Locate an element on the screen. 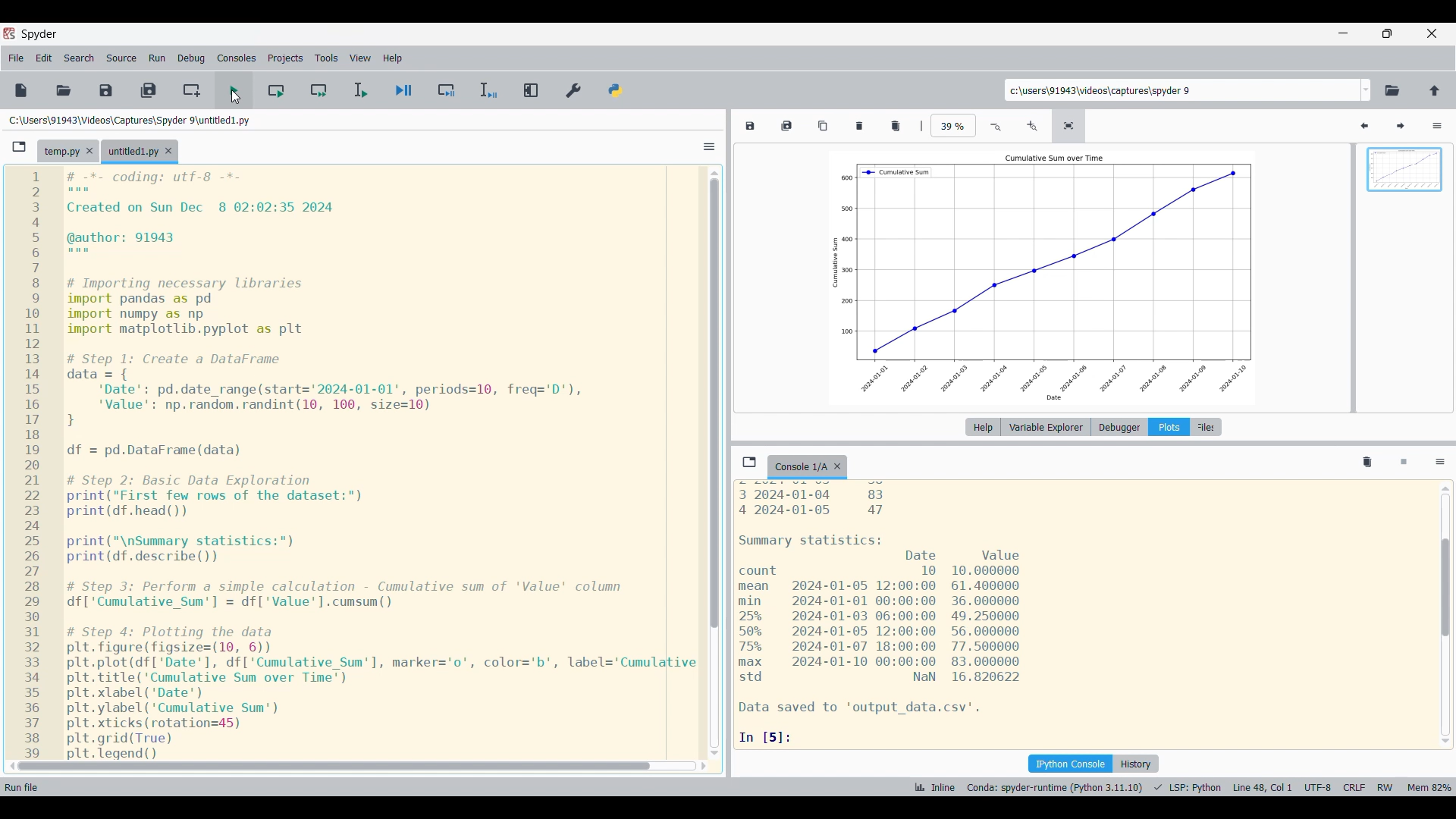 This screenshot has width=1456, height=819. File menu is located at coordinates (17, 58).